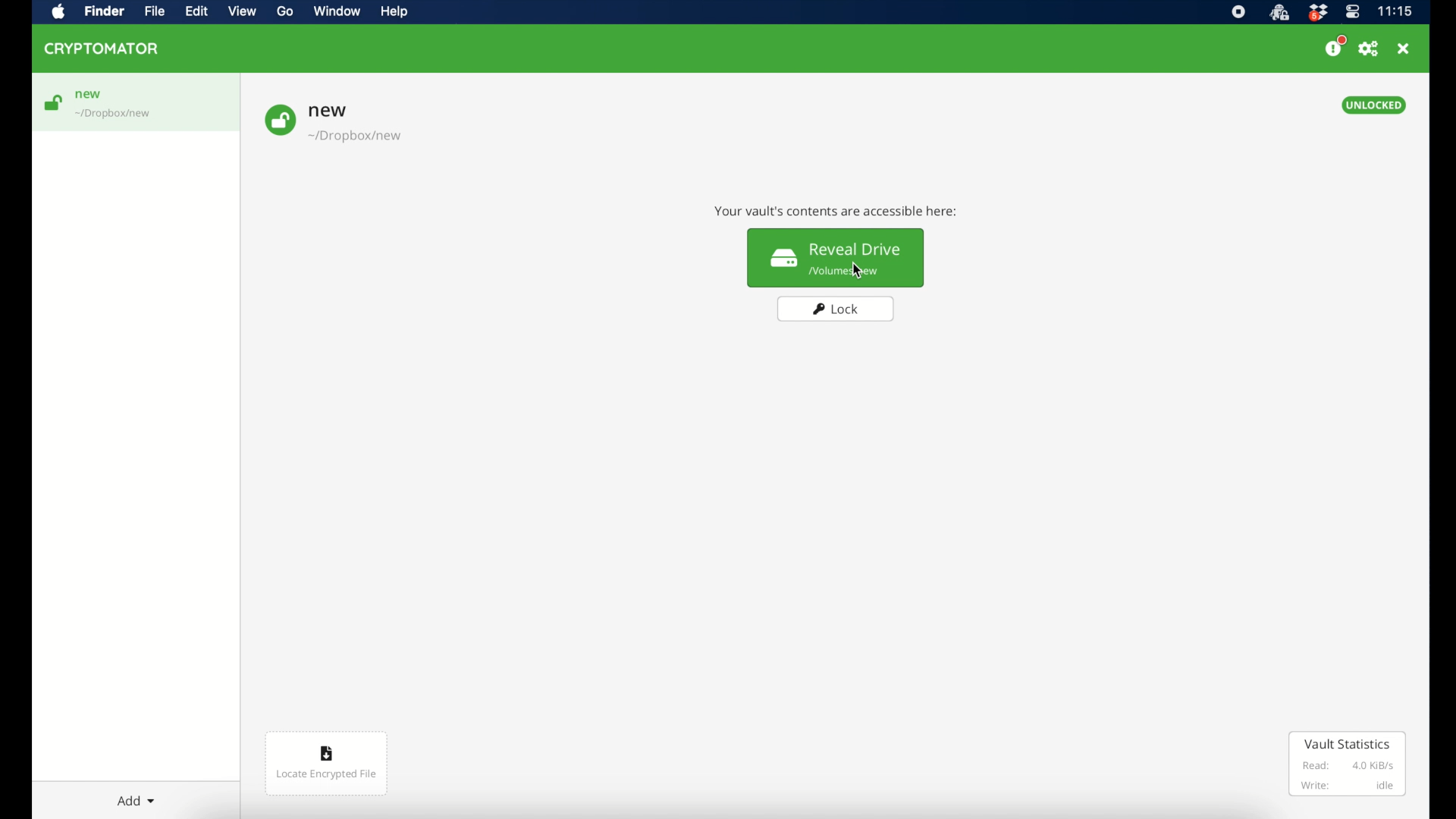 This screenshot has height=819, width=1456. What do you see at coordinates (102, 49) in the screenshot?
I see `cryptomator` at bounding box center [102, 49].